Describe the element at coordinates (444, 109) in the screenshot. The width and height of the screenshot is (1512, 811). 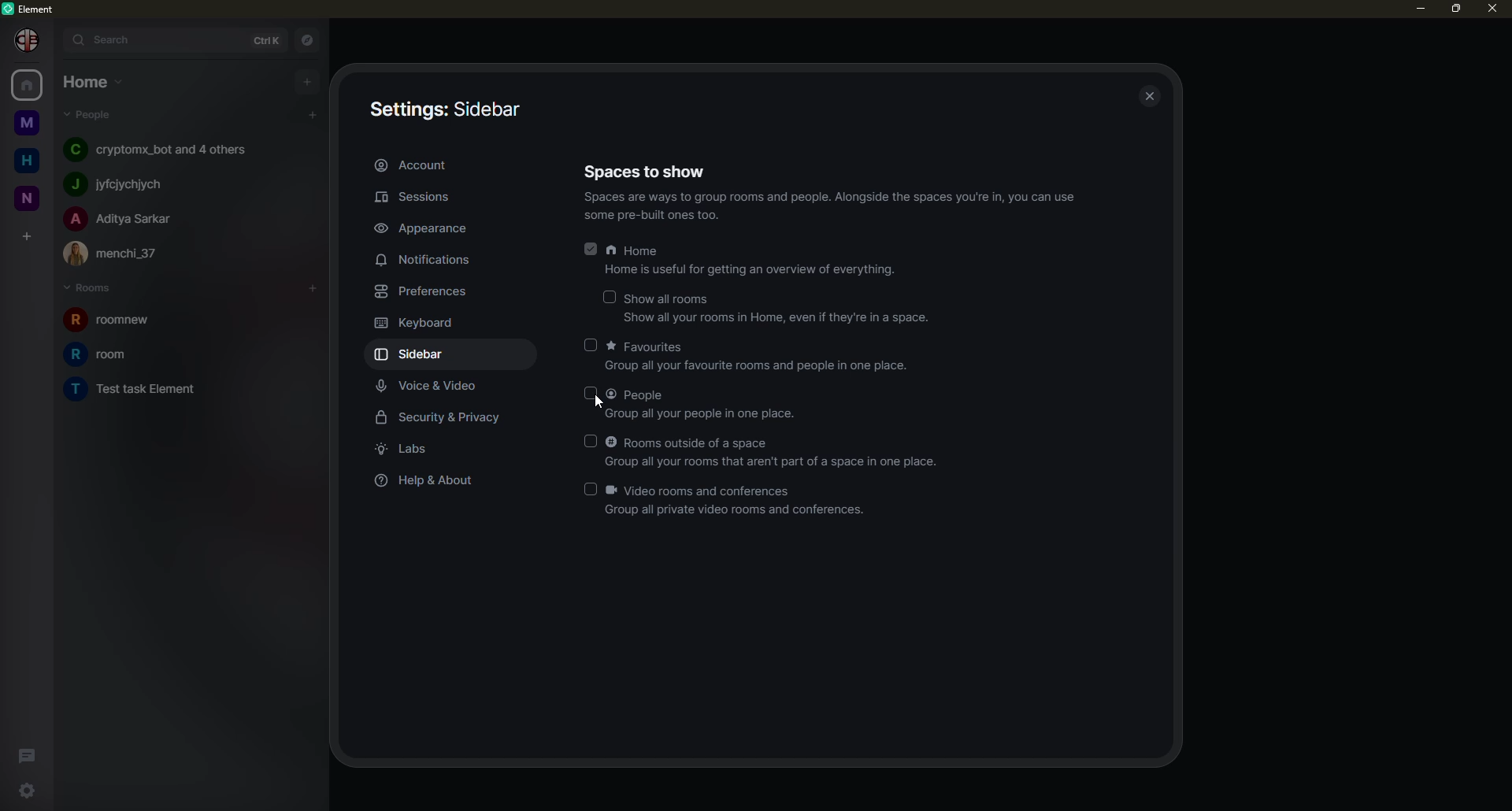
I see `sidebar` at that location.